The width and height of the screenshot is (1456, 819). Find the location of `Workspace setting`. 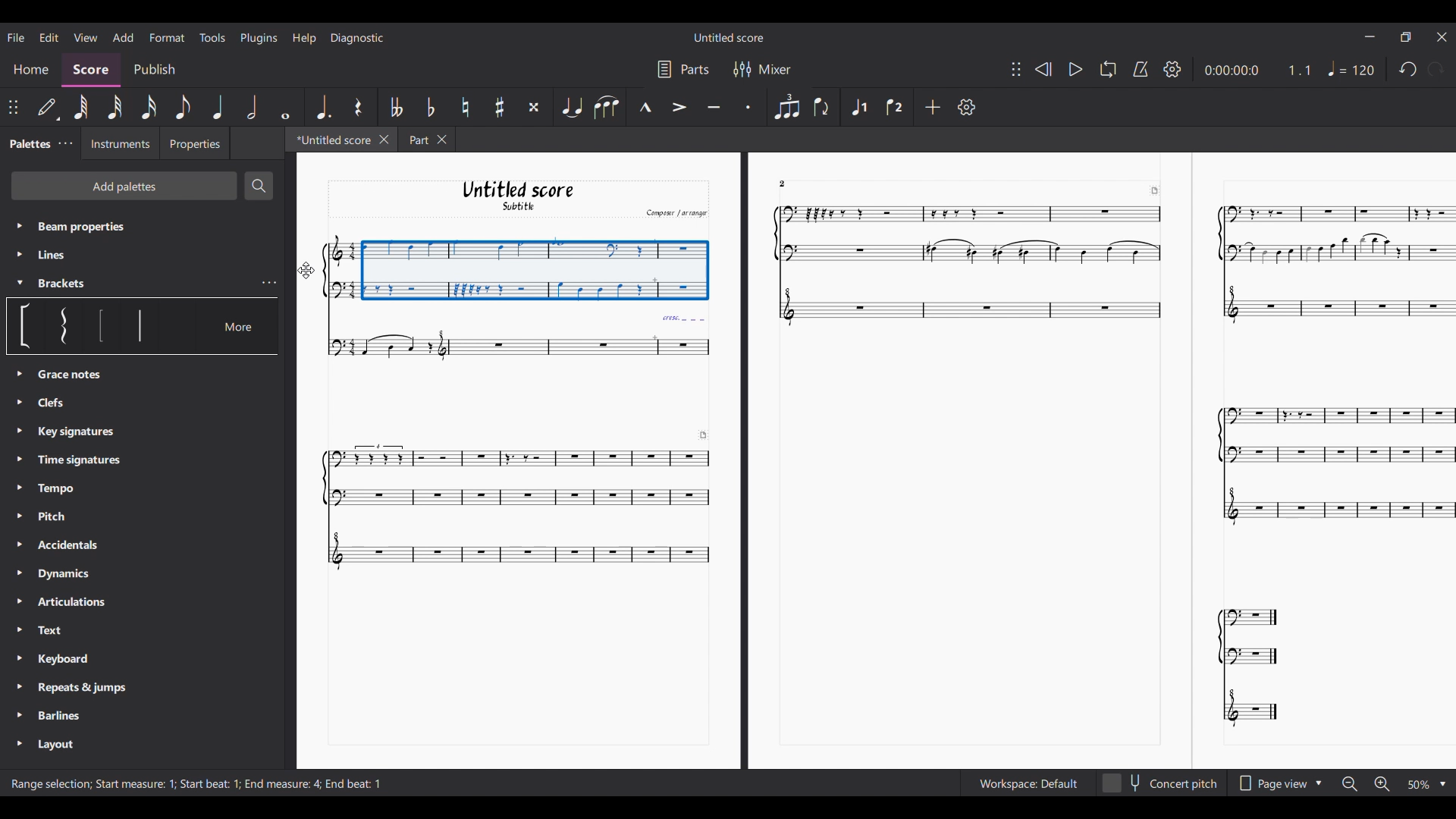

Workspace setting is located at coordinates (1028, 783).